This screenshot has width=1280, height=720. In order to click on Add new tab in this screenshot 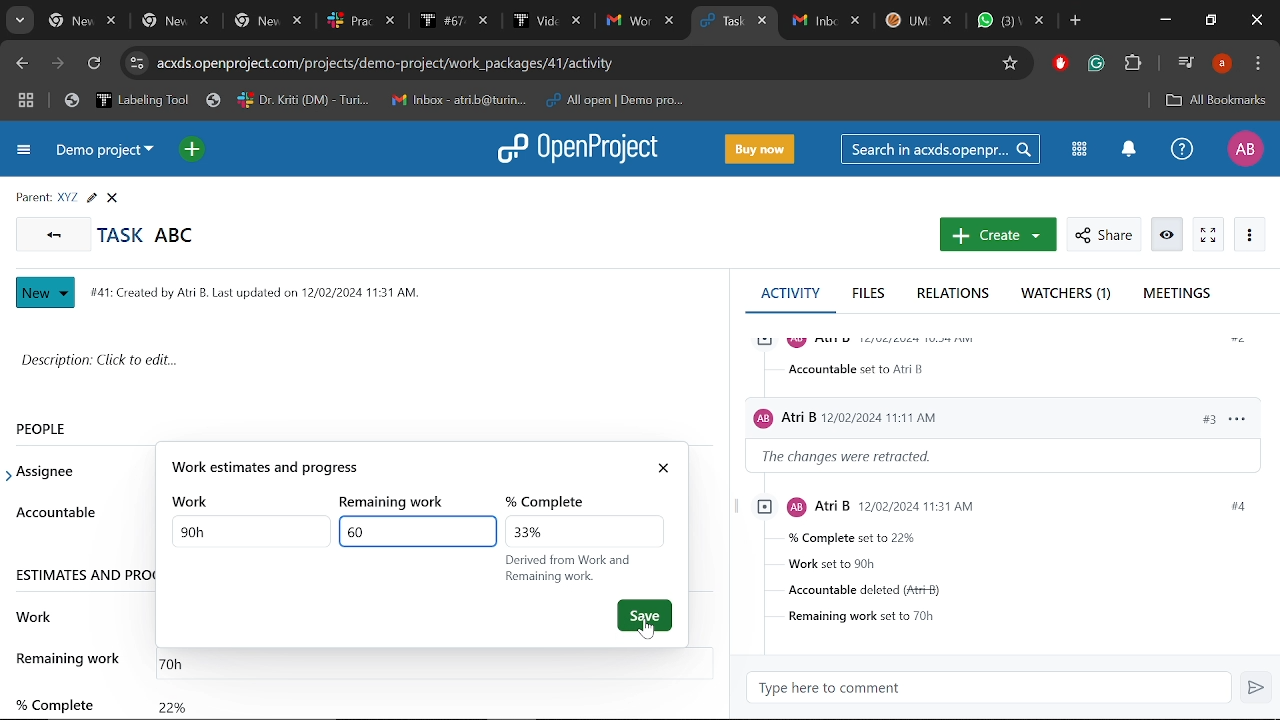, I will do `click(1075, 22)`.